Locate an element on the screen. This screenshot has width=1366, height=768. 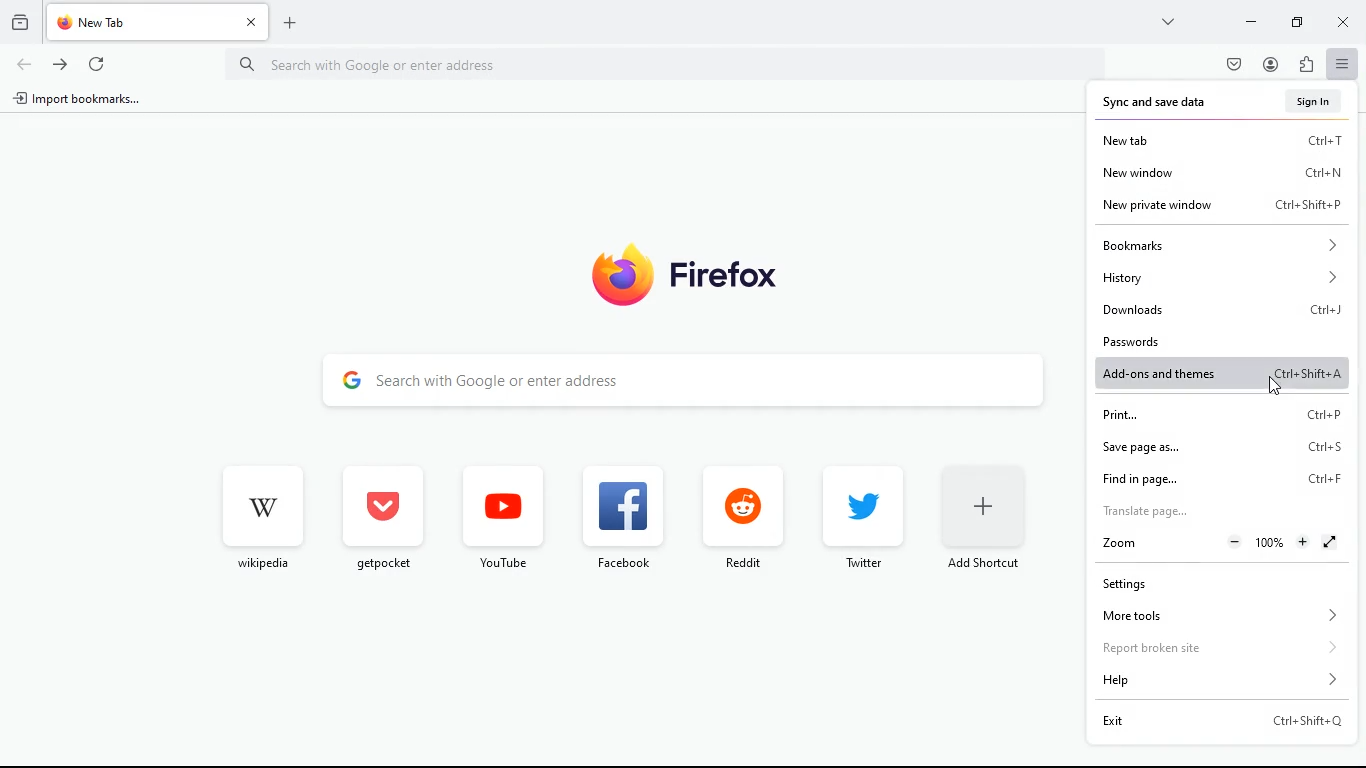
print is located at coordinates (1216, 414).